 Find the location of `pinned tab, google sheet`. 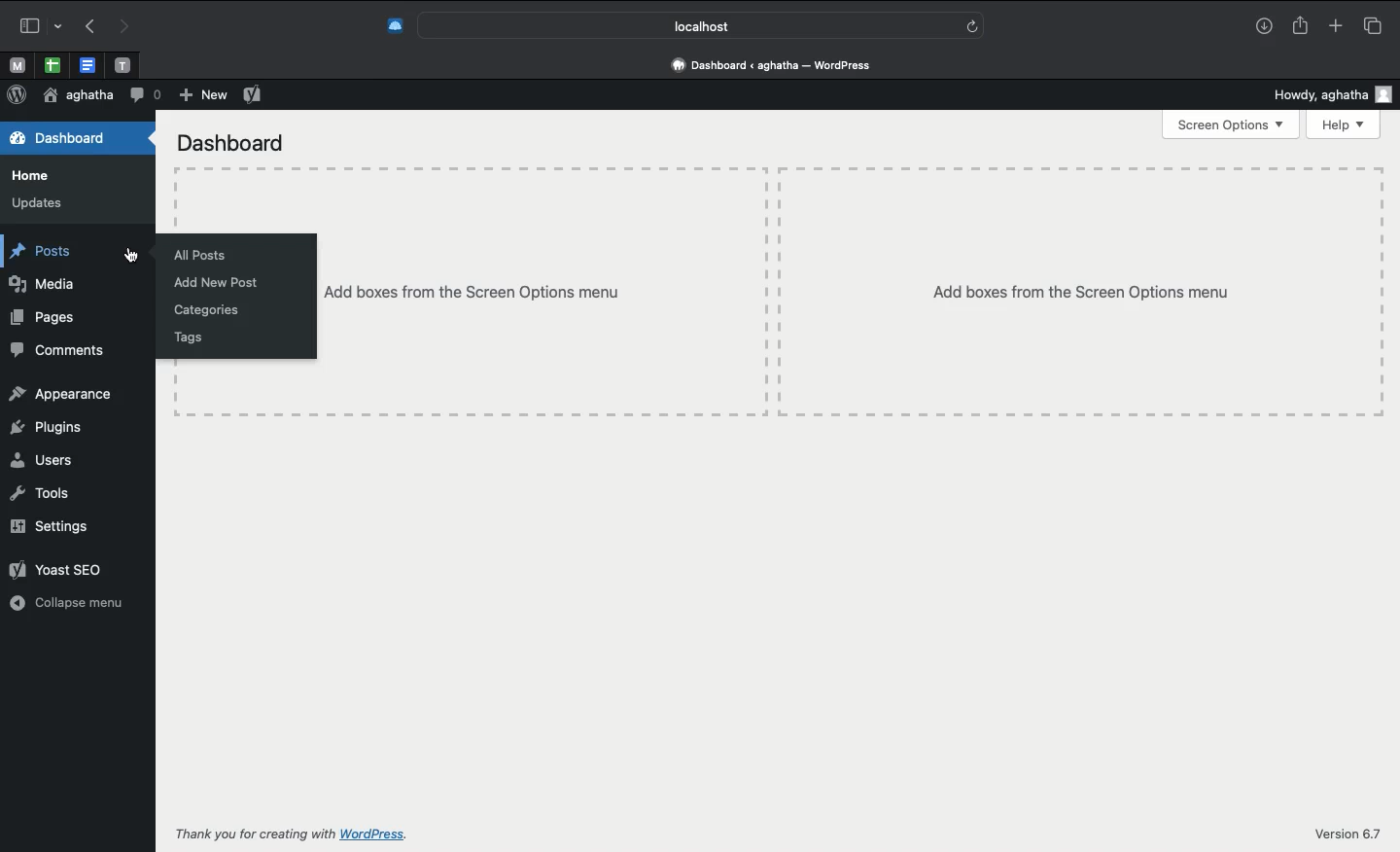

pinned tab, google sheet is located at coordinates (52, 62).